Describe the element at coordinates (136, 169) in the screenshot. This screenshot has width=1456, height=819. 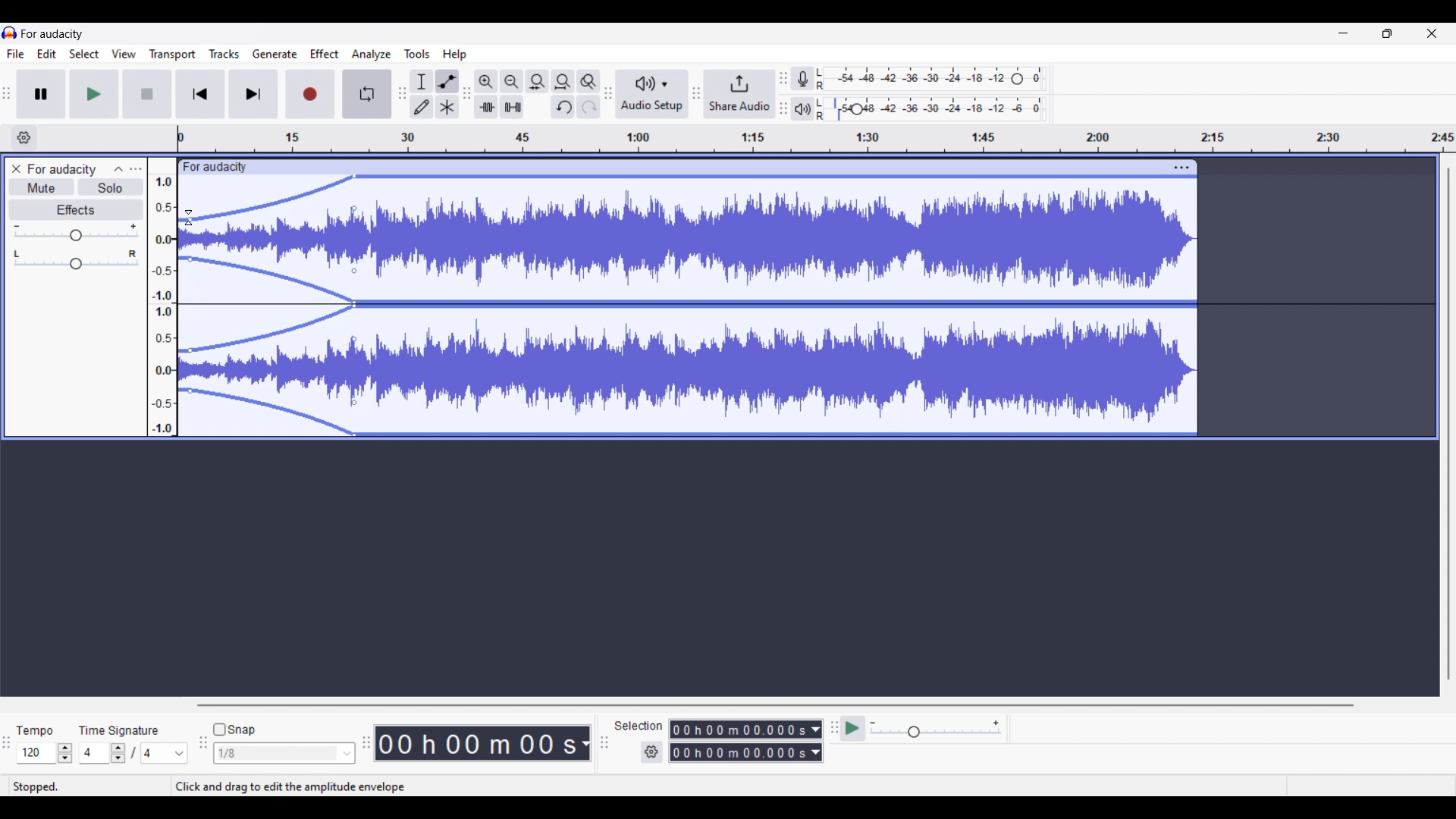
I see `Open menu` at that location.